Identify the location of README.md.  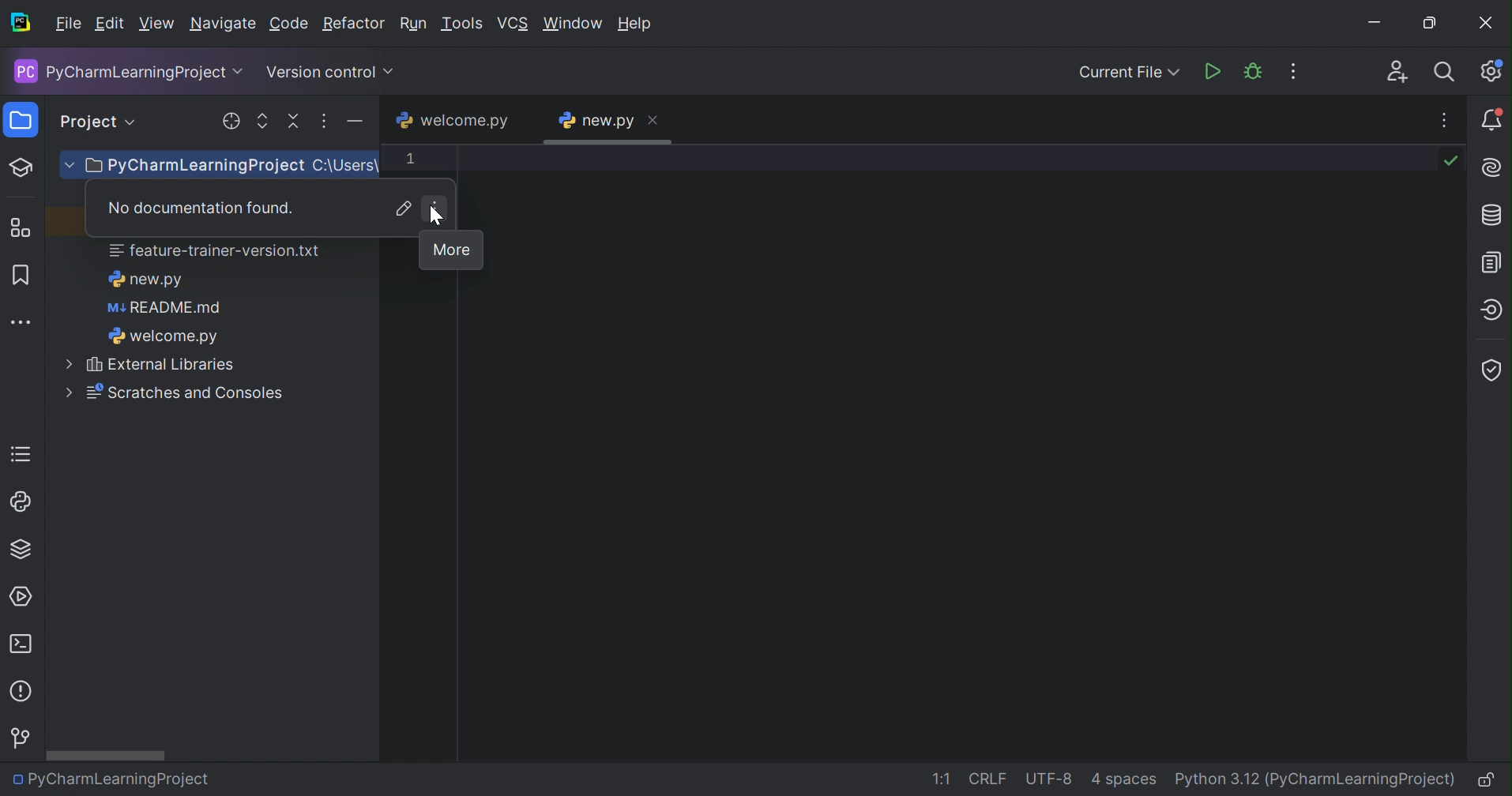
(164, 310).